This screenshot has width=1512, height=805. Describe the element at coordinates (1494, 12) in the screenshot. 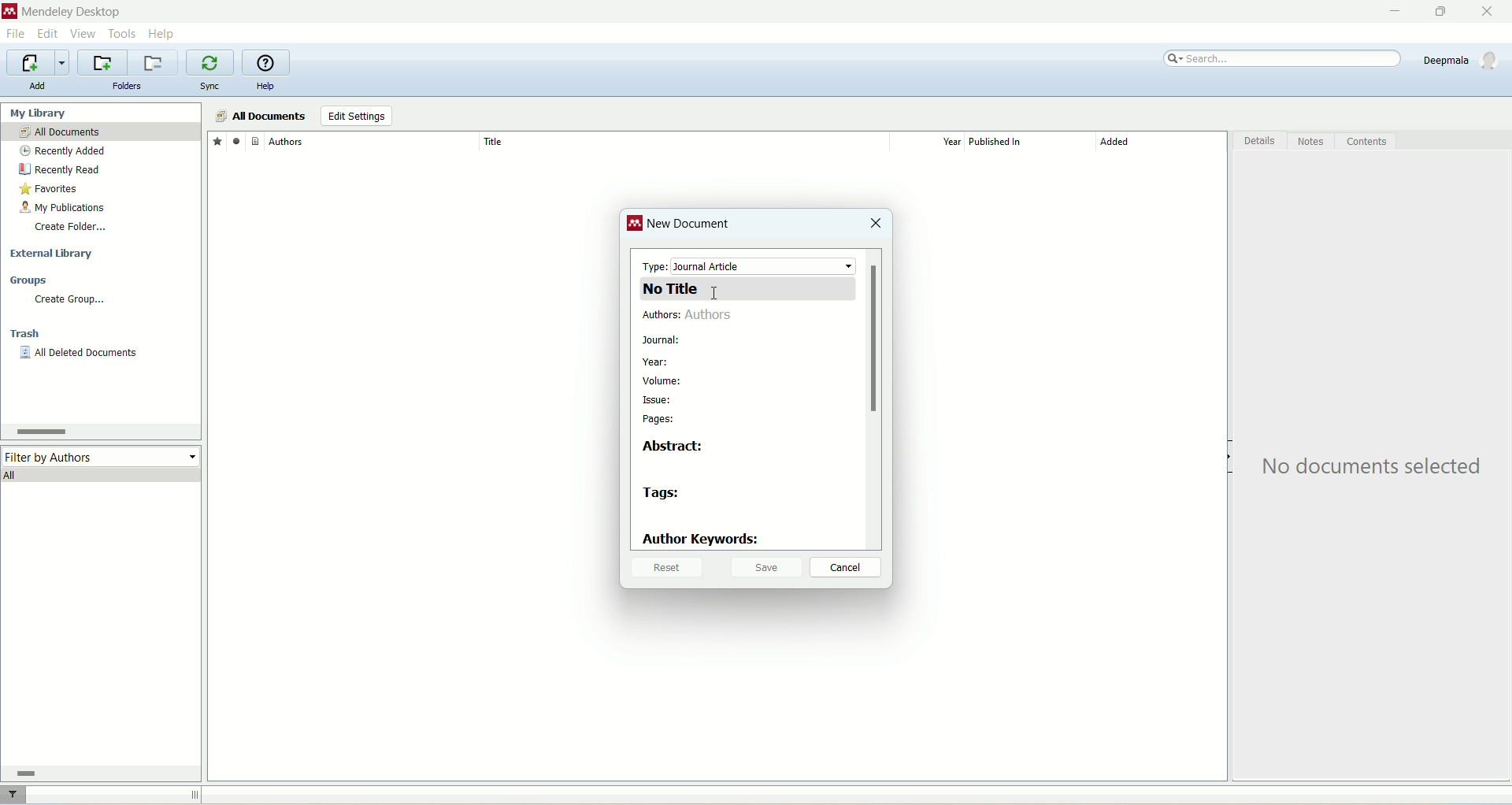

I see `close` at that location.